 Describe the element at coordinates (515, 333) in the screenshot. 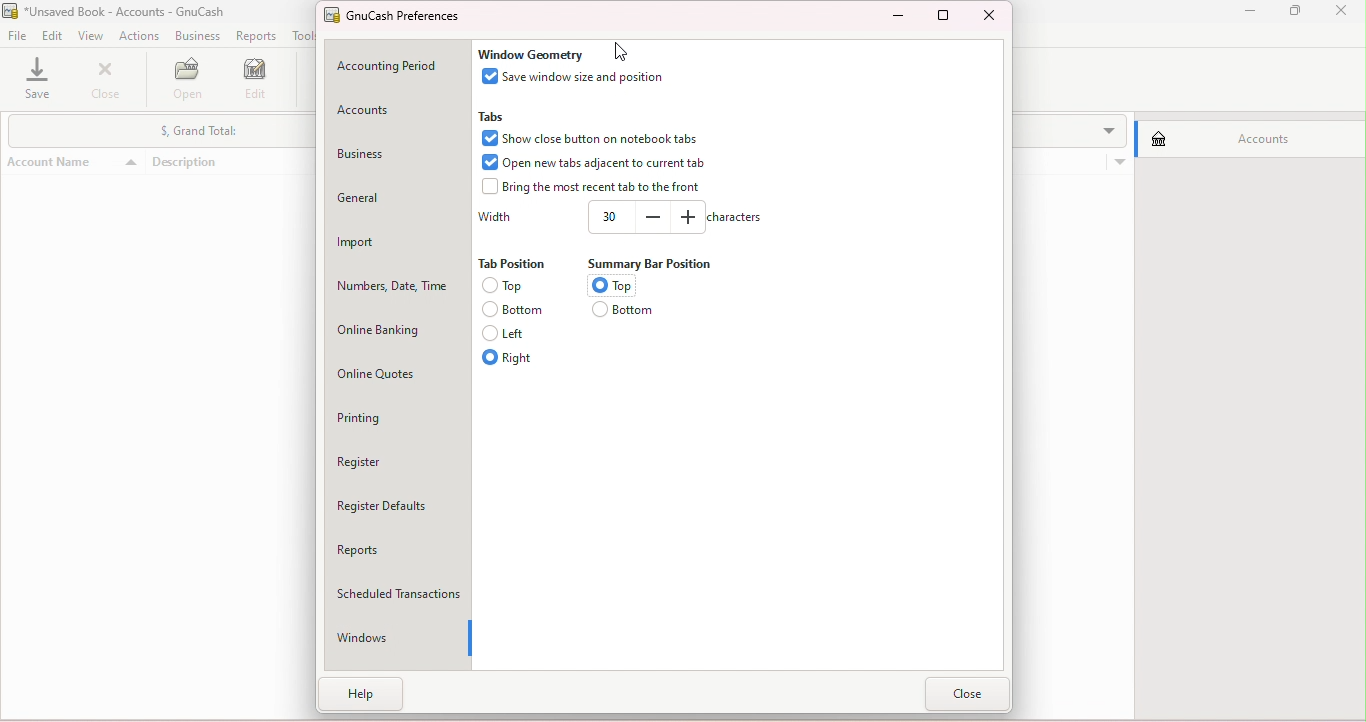

I see `Left` at that location.